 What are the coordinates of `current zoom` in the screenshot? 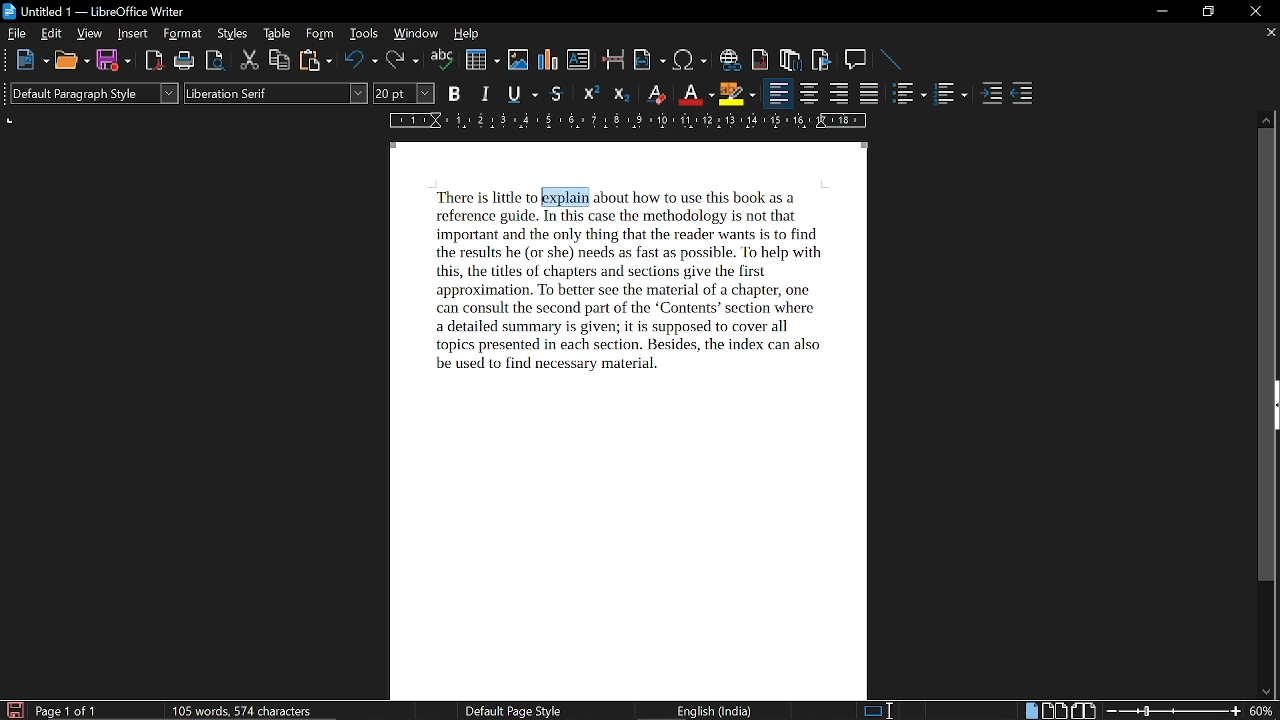 It's located at (1263, 711).